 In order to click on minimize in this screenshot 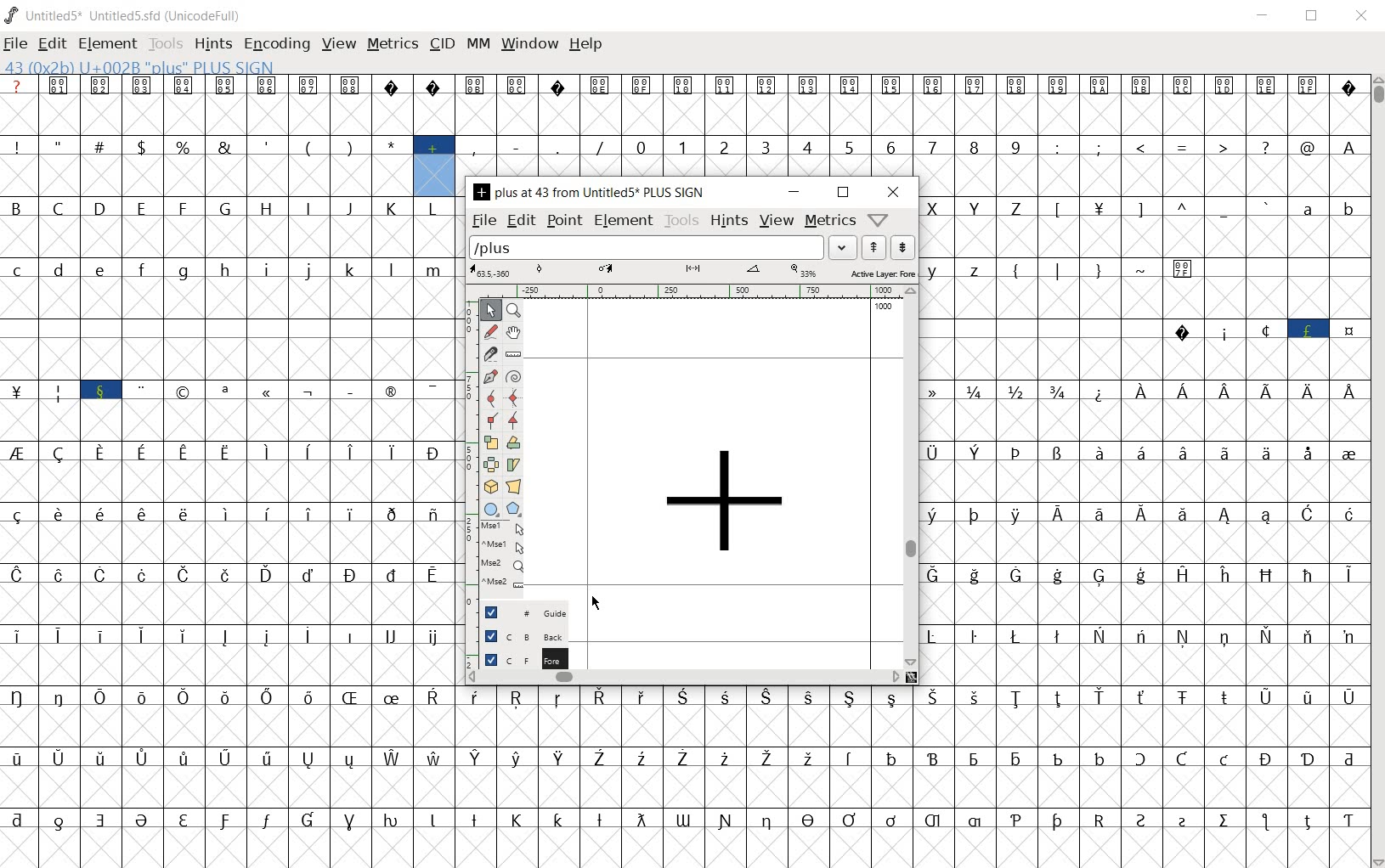, I will do `click(1265, 14)`.